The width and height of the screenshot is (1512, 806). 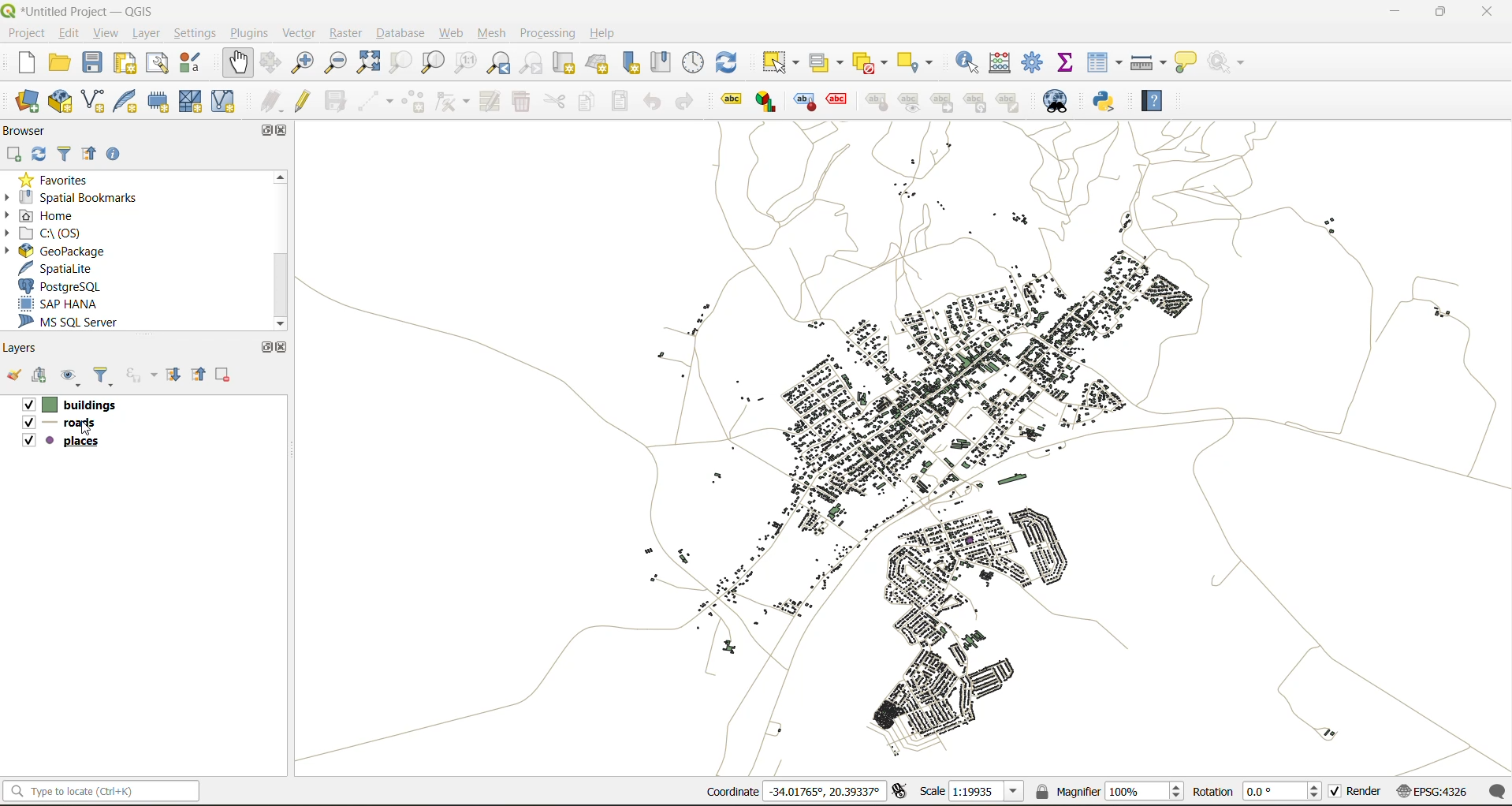 What do you see at coordinates (107, 376) in the screenshot?
I see `filter` at bounding box center [107, 376].